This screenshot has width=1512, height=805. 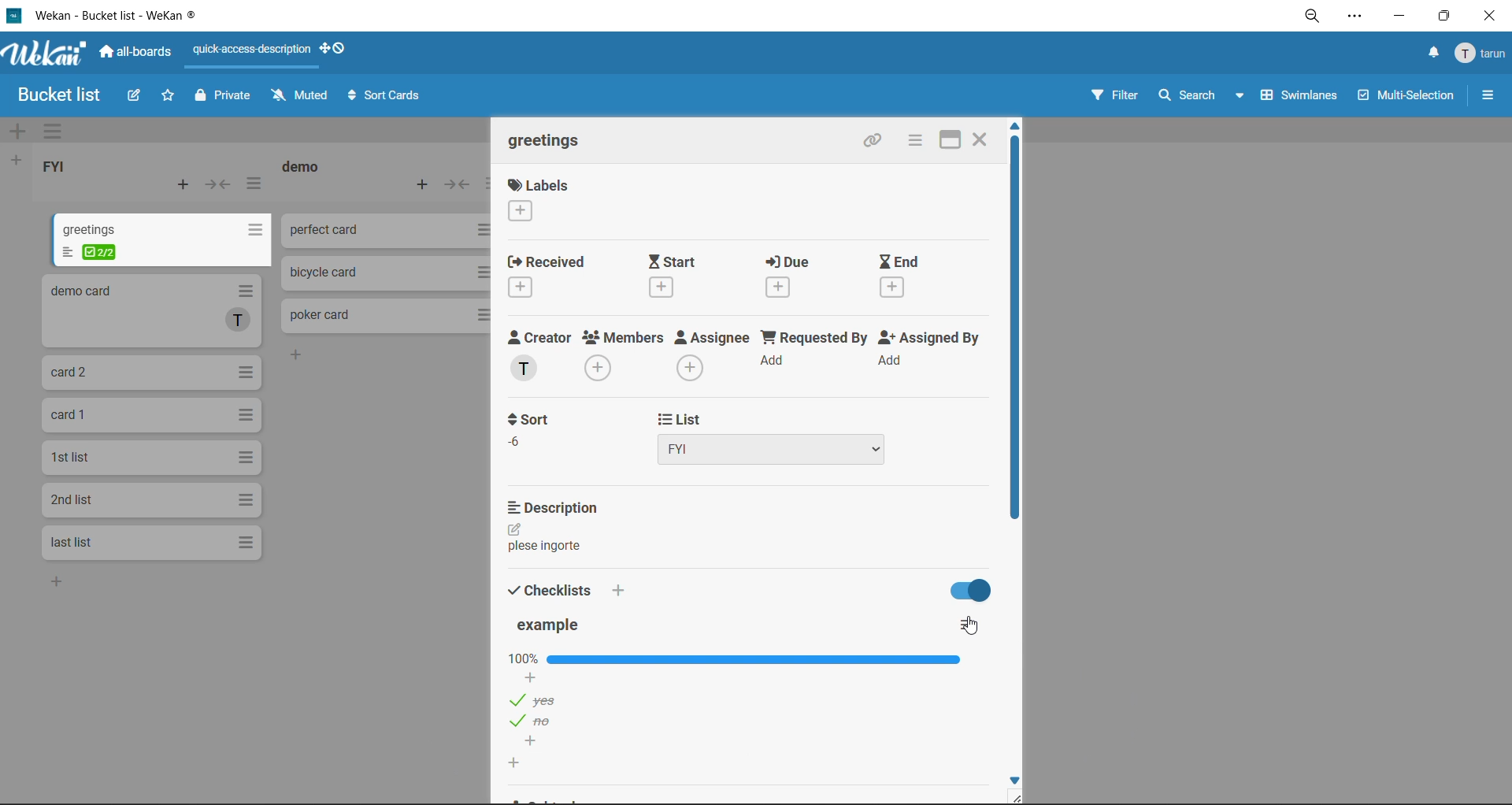 I want to click on requested by, so click(x=816, y=356).